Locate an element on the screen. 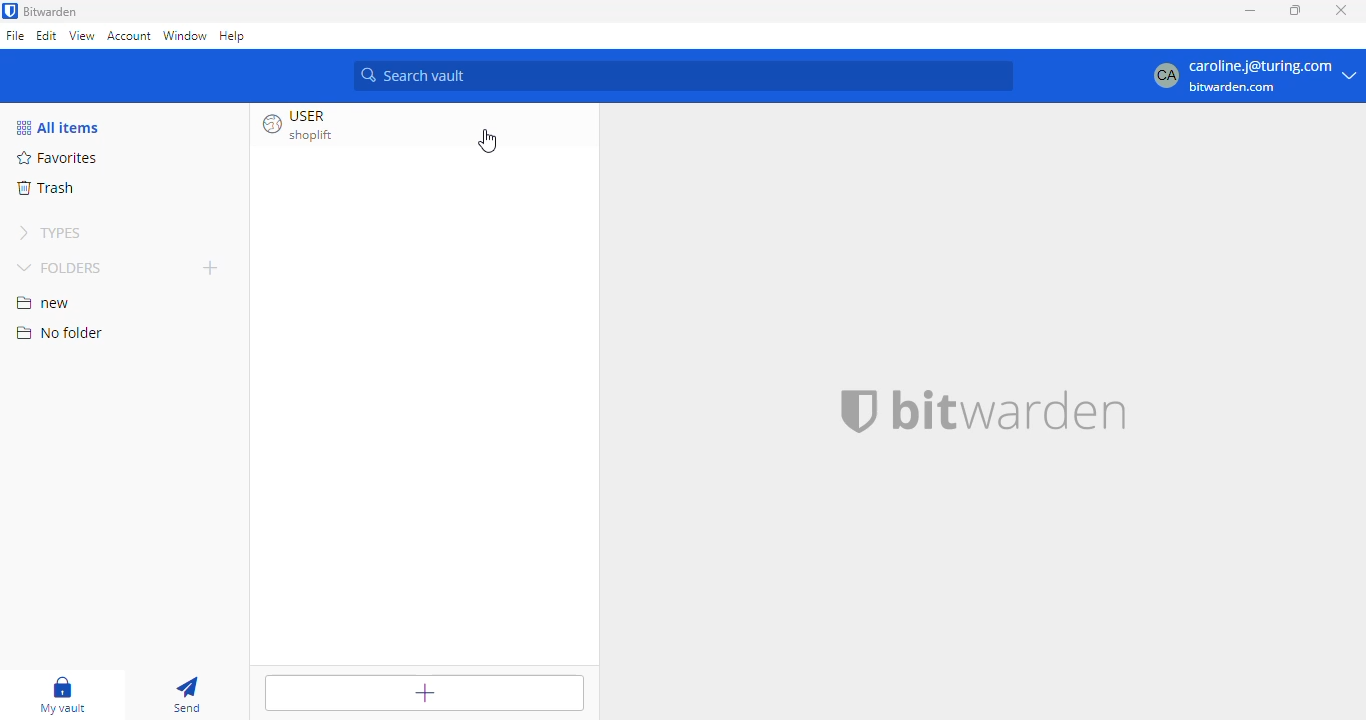 The width and height of the screenshot is (1366, 720). favorites is located at coordinates (60, 158).